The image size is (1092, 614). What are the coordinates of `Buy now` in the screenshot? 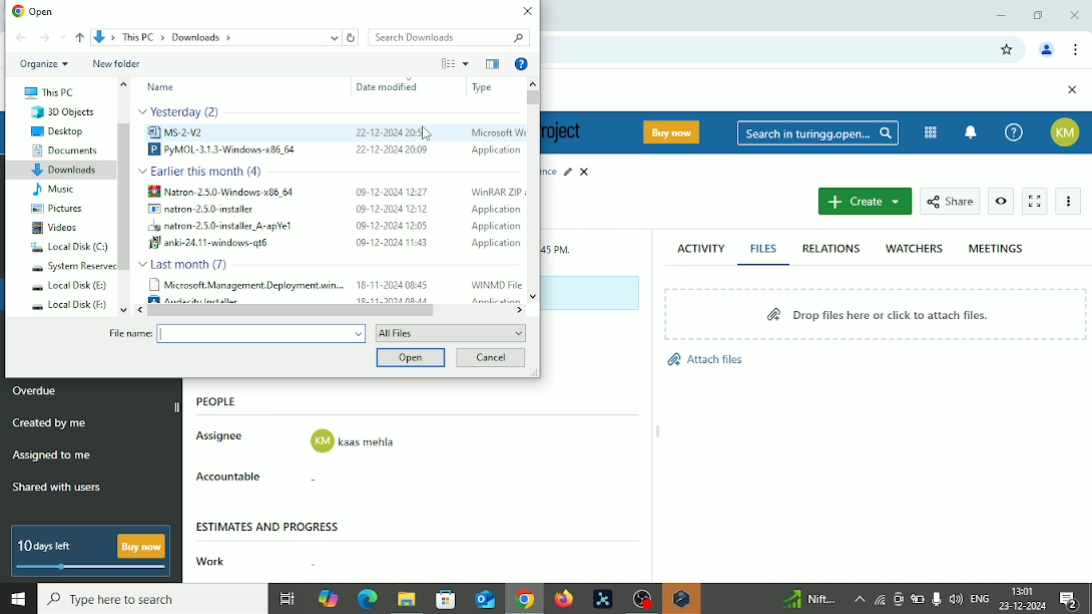 It's located at (675, 132).